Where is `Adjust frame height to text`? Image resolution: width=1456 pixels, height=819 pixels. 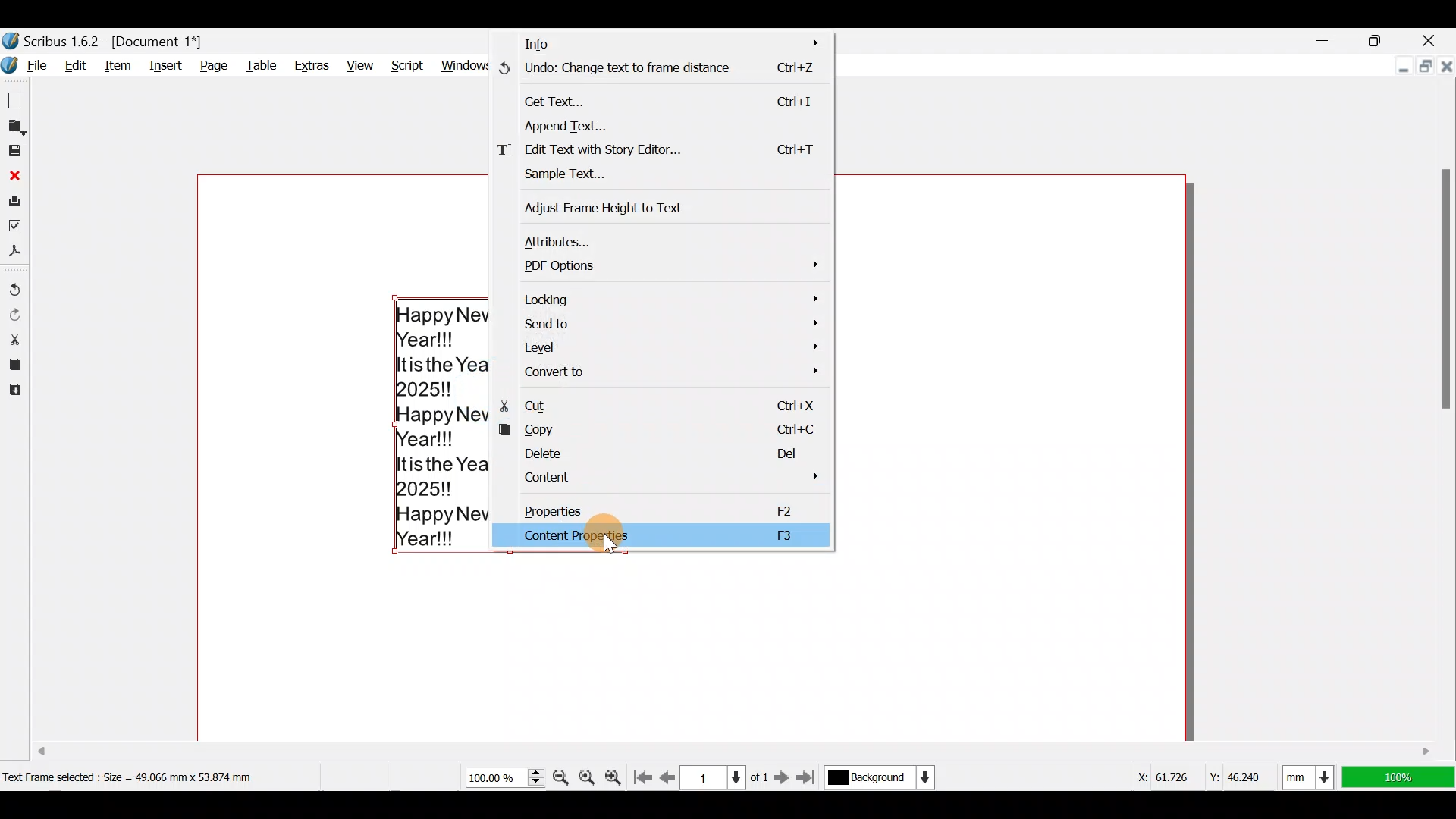
Adjust frame height to text is located at coordinates (620, 206).